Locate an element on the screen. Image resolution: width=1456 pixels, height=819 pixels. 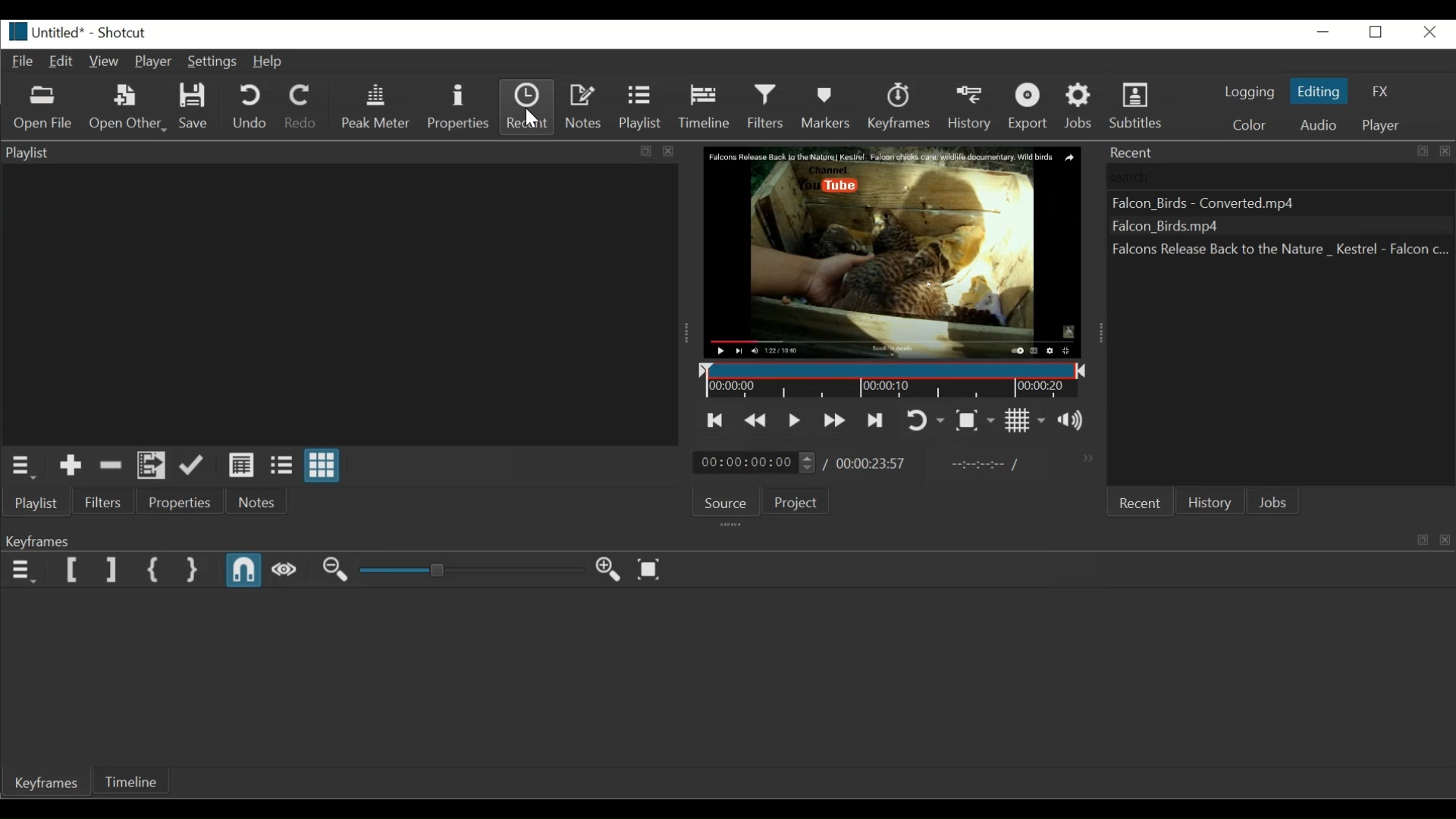
Keyframes is located at coordinates (48, 786).